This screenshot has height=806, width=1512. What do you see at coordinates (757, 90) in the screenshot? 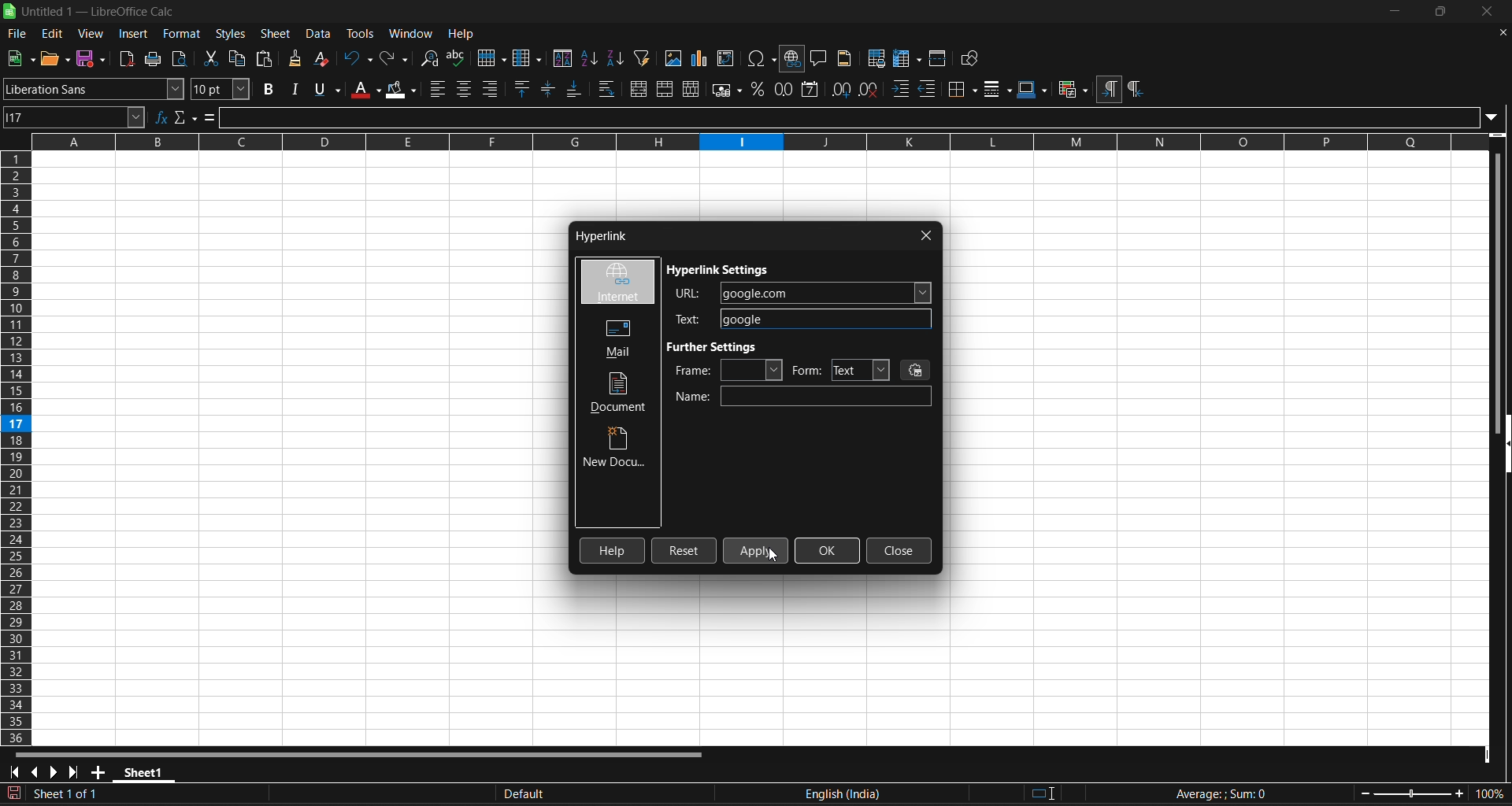
I see `format as percent` at bounding box center [757, 90].